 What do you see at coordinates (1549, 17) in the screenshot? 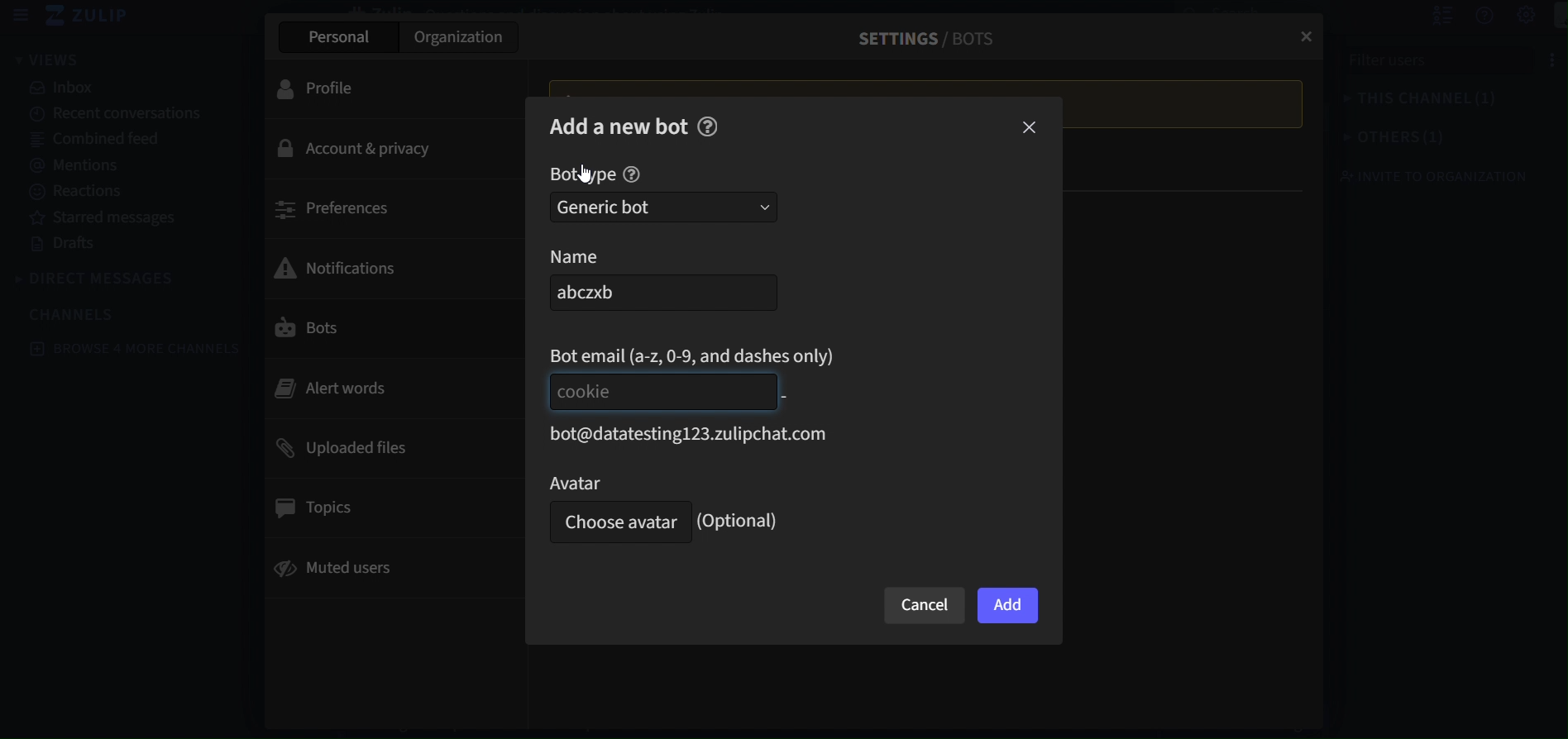
I see `main menu` at bounding box center [1549, 17].